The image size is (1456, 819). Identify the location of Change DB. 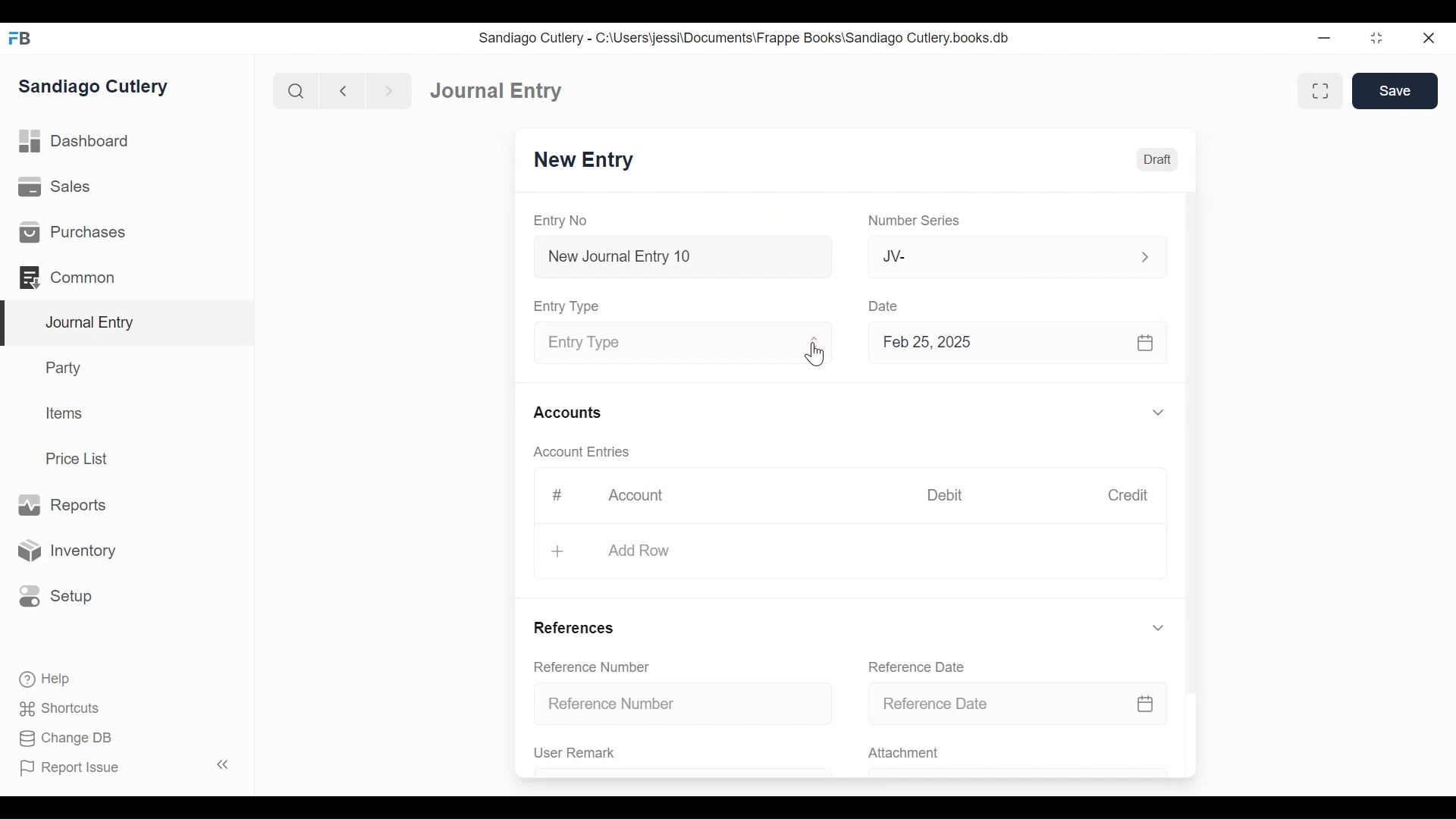
(61, 738).